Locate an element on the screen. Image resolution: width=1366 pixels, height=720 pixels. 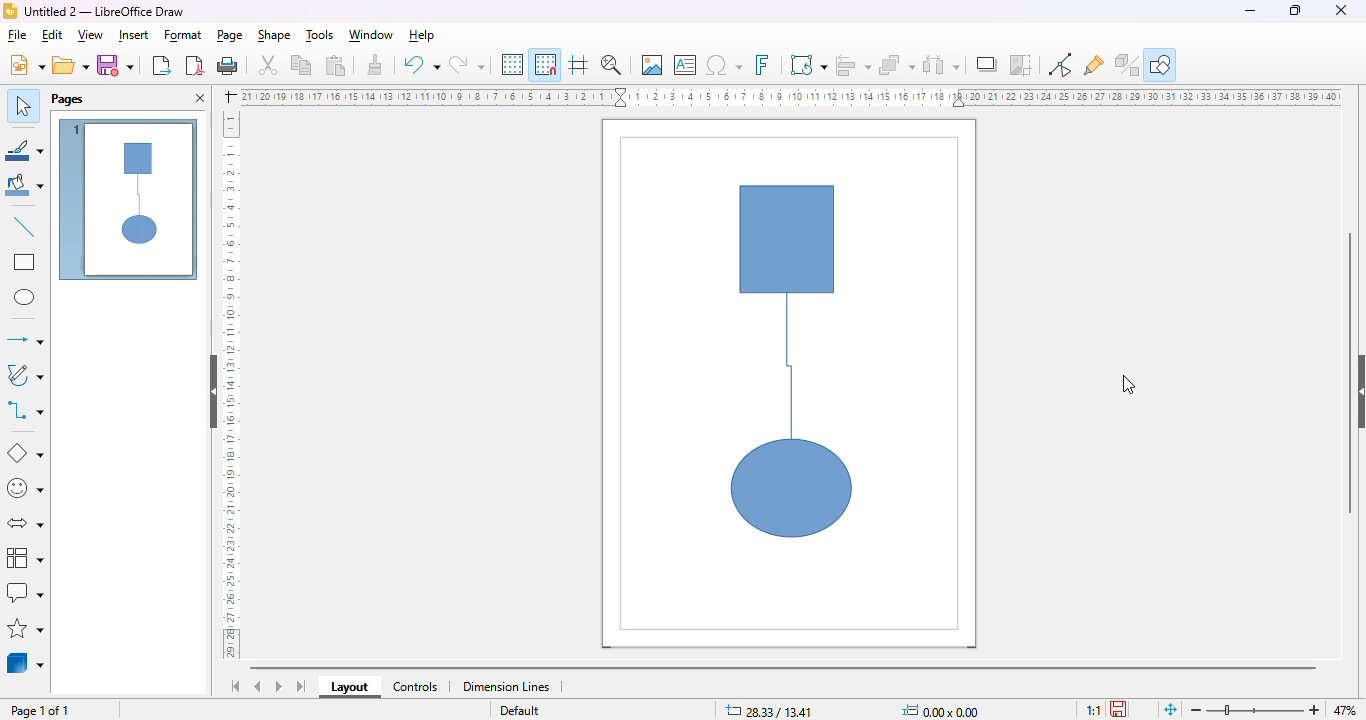
page 1 view of connector tool is located at coordinates (129, 201).